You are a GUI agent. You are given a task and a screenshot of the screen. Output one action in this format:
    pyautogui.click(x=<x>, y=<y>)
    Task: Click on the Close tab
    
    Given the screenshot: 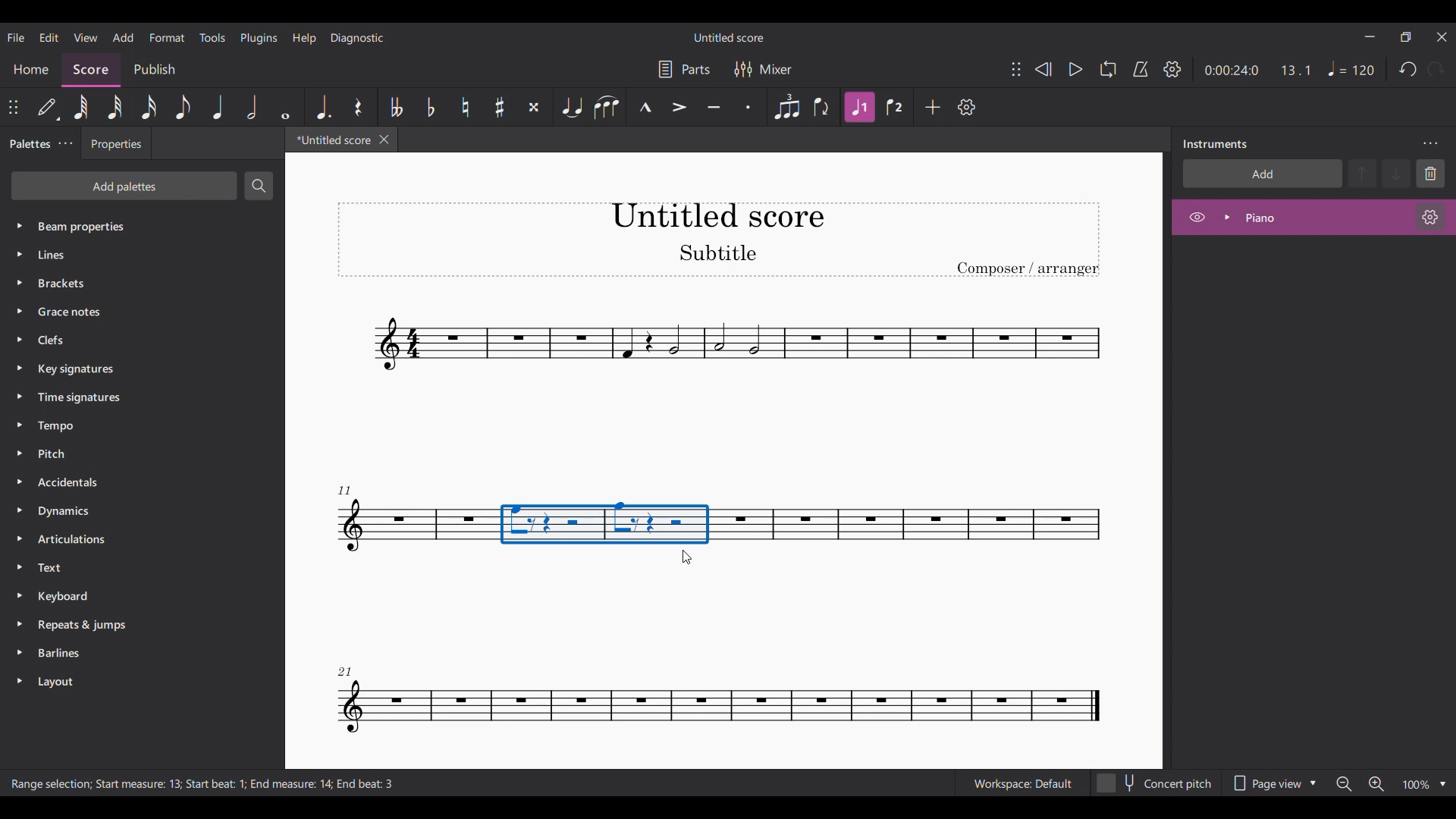 What is the action you would take?
    pyautogui.click(x=384, y=140)
    